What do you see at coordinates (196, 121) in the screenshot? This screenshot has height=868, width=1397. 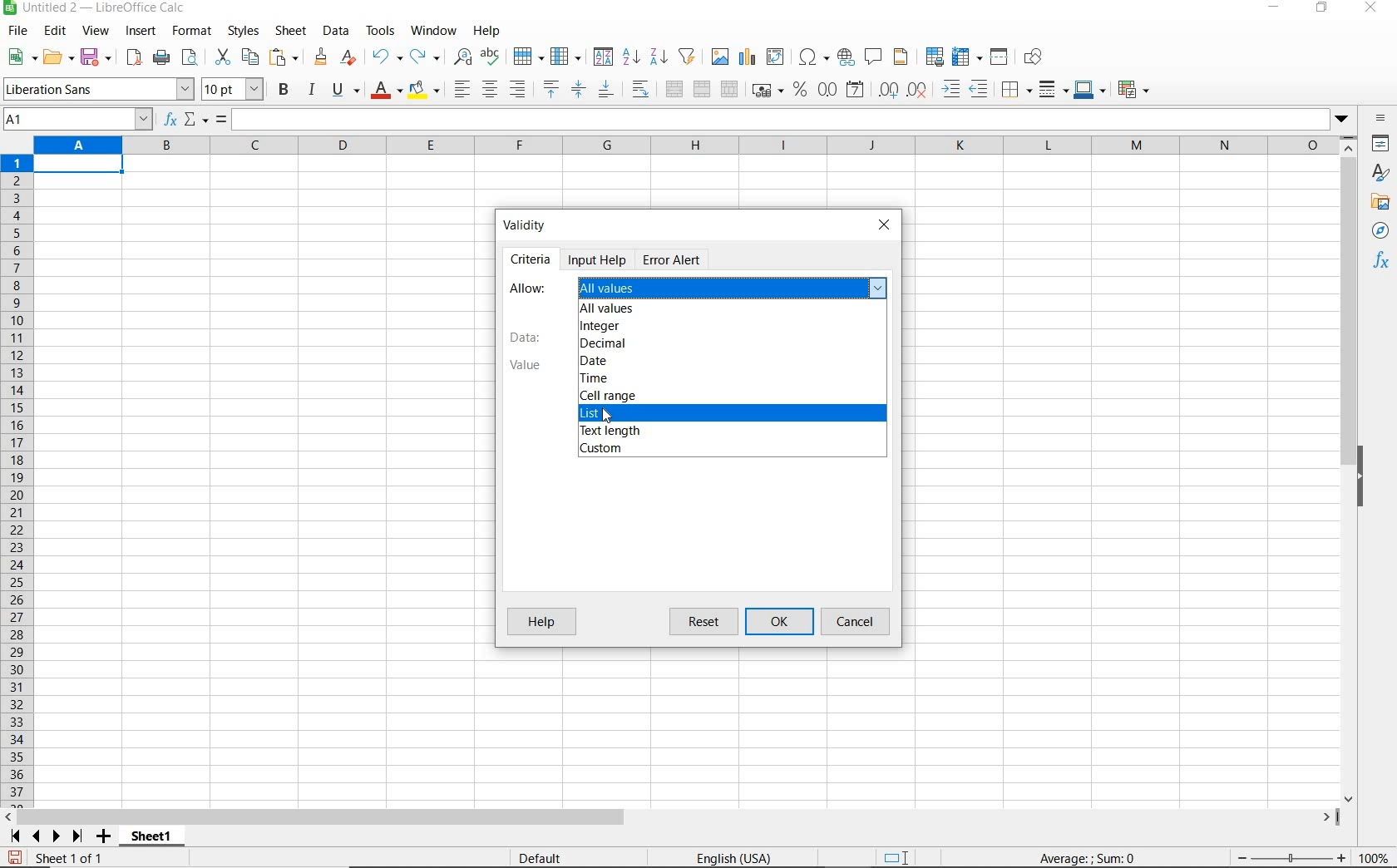 I see `select function` at bounding box center [196, 121].